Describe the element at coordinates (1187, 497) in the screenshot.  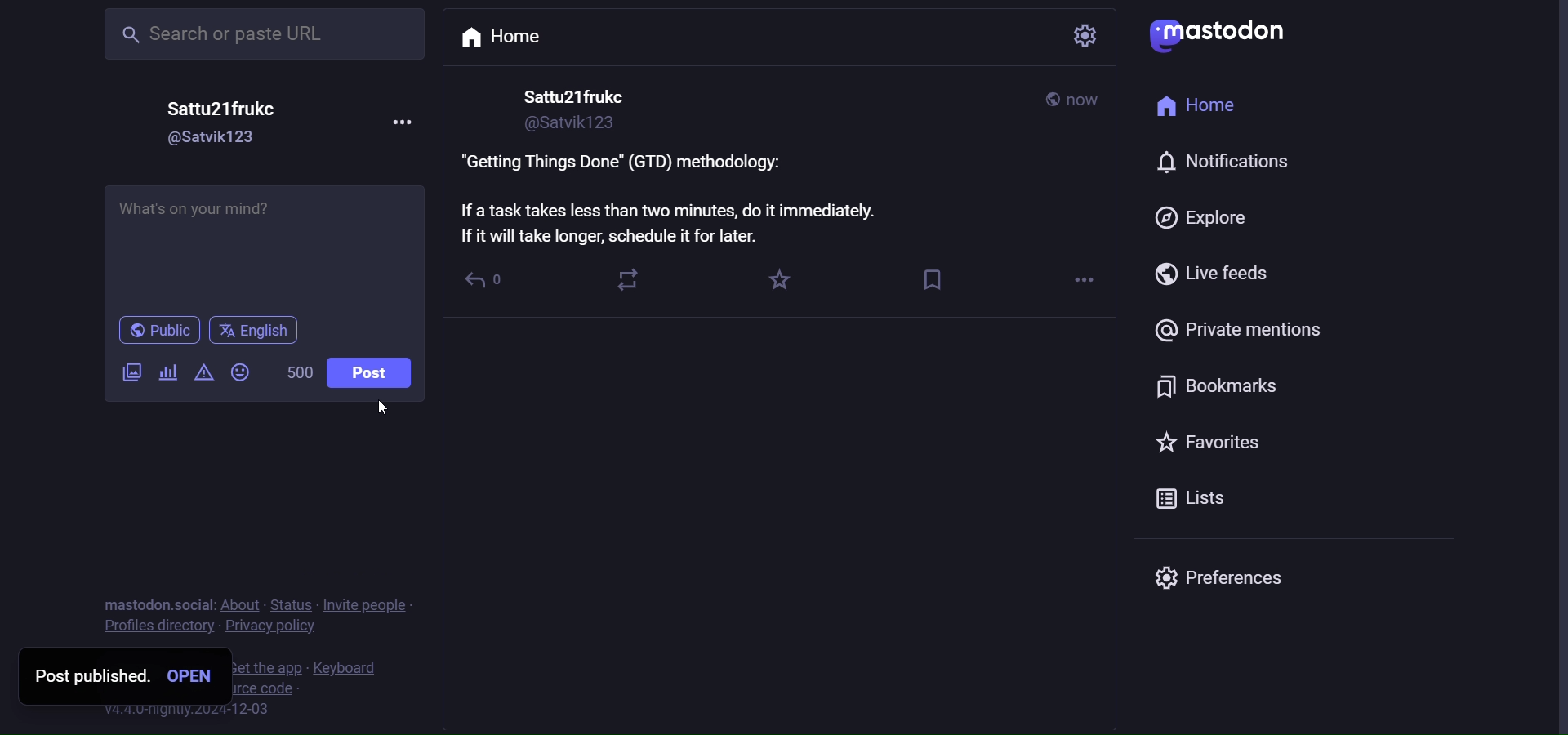
I see `lists` at that location.